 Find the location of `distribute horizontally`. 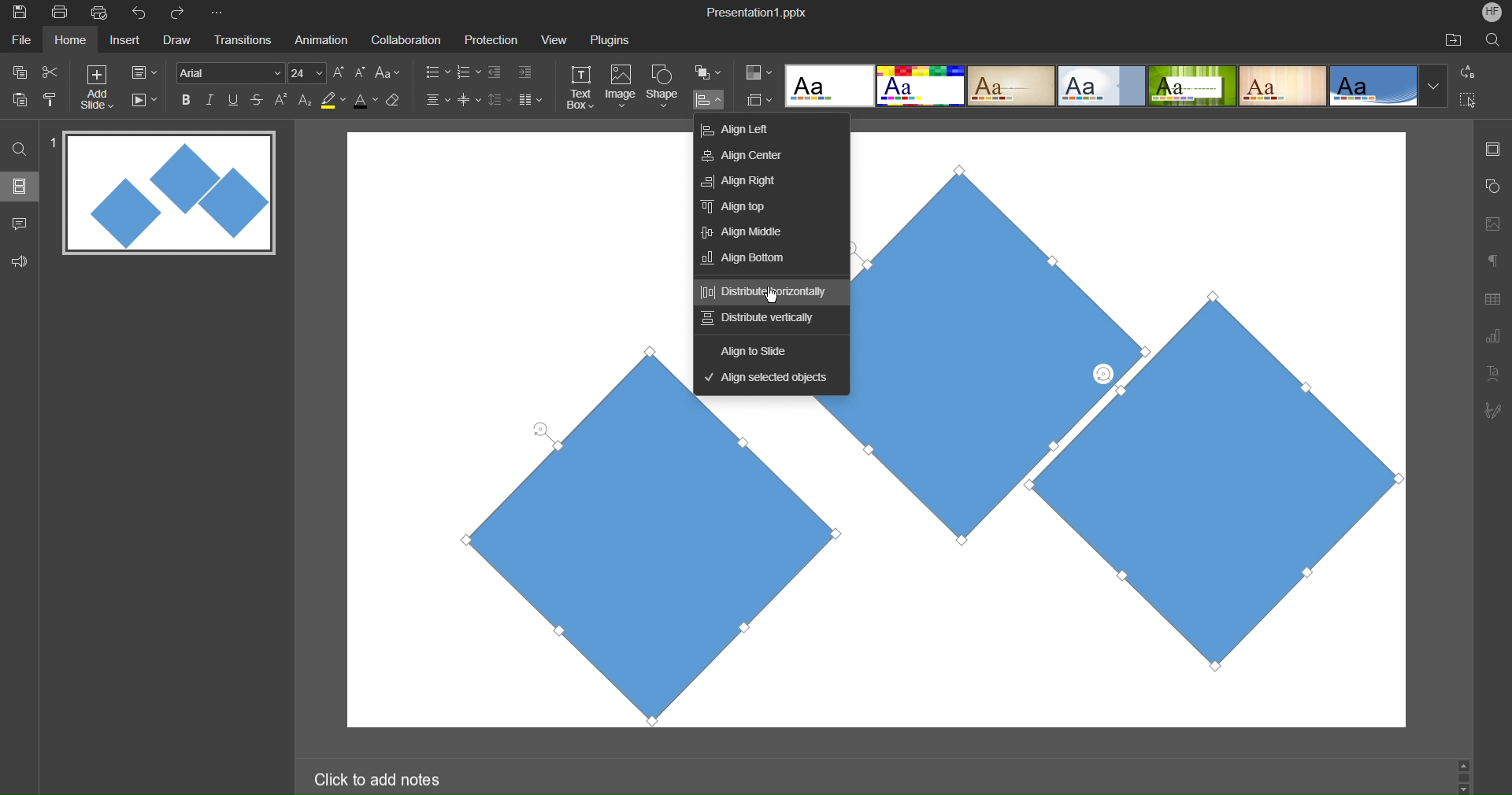

distribute horizontally is located at coordinates (770, 292).